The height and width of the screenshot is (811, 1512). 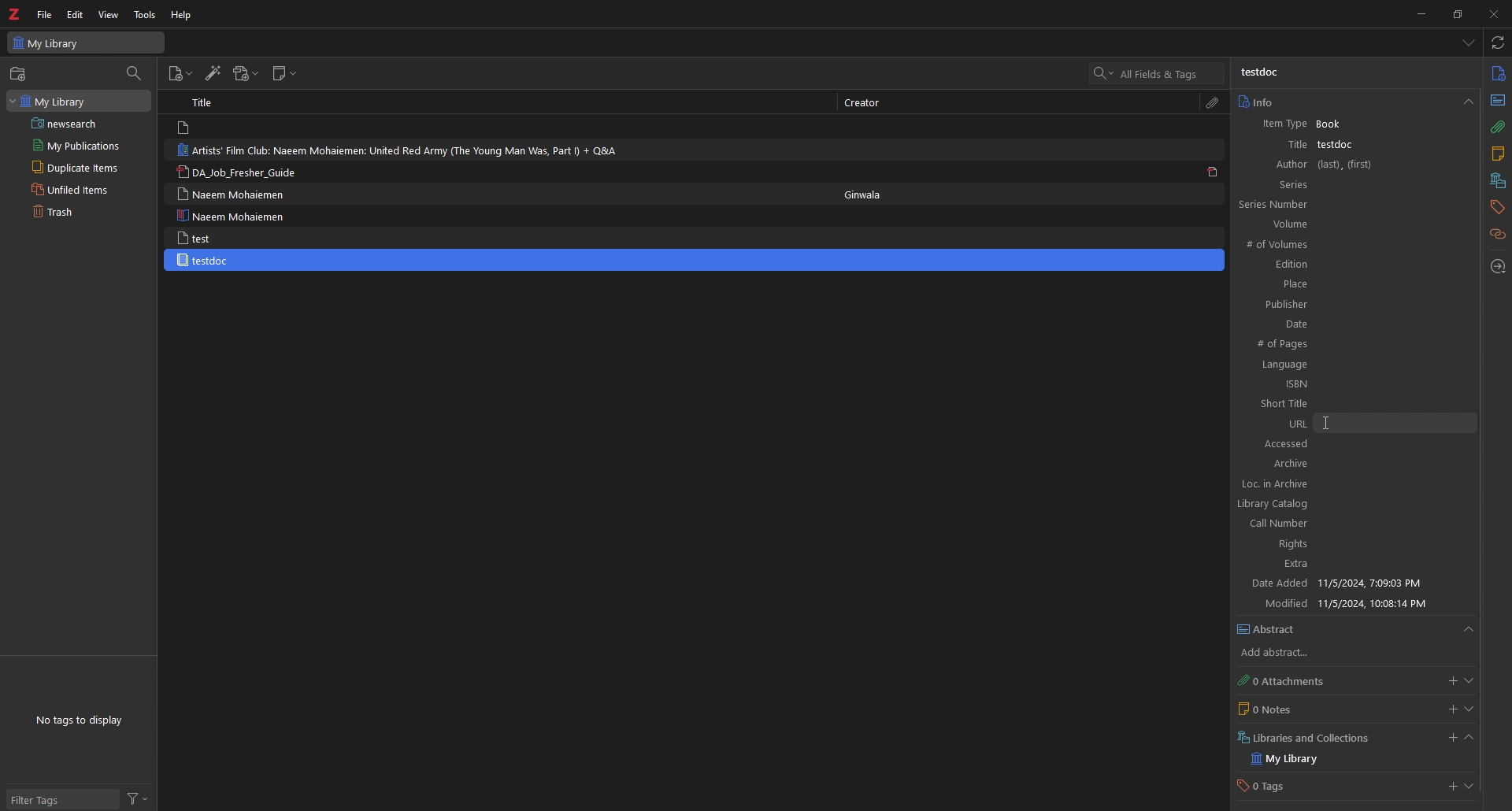 What do you see at coordinates (76, 14) in the screenshot?
I see `edit` at bounding box center [76, 14].